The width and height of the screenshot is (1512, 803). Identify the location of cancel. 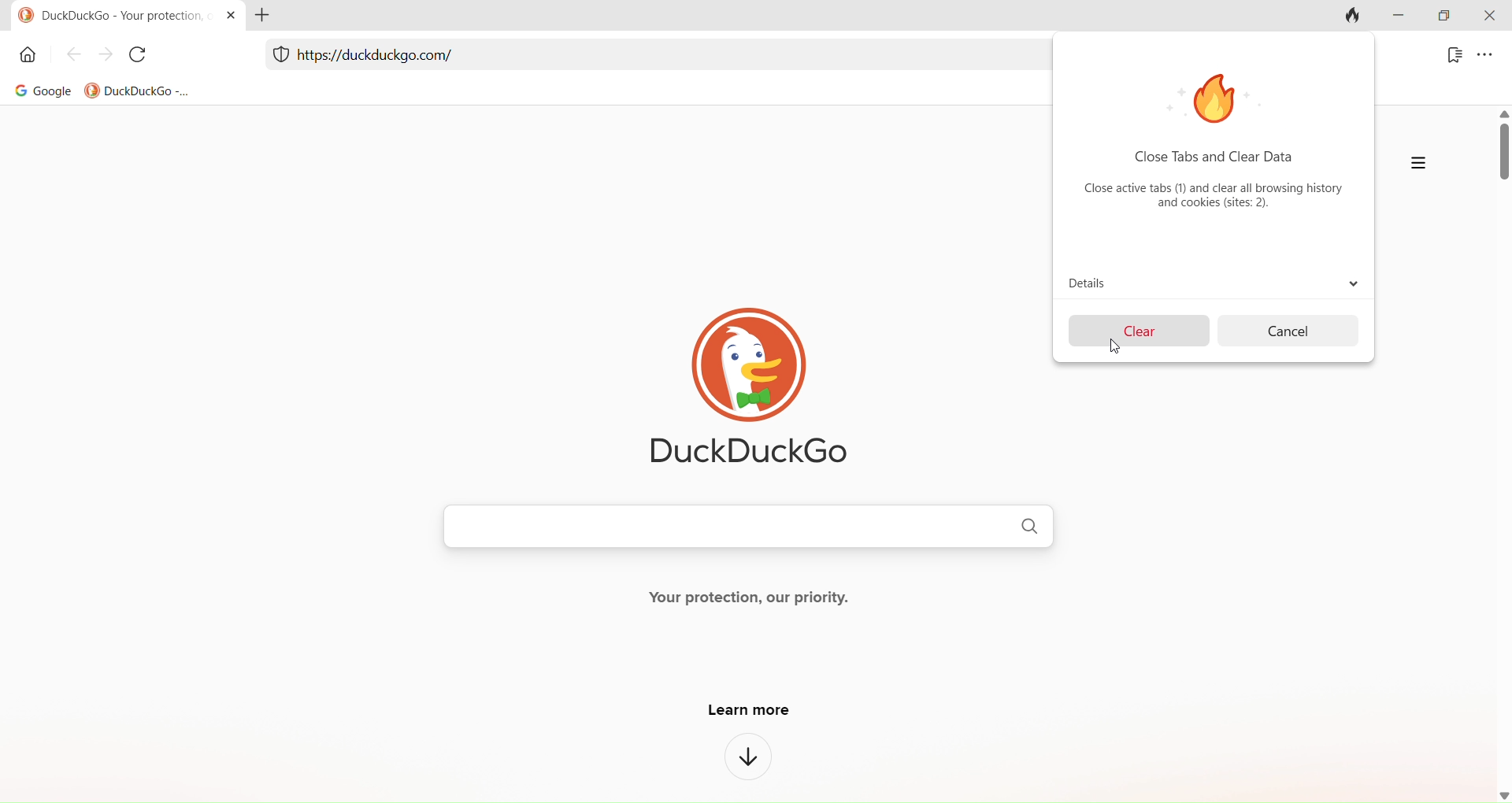
(1301, 331).